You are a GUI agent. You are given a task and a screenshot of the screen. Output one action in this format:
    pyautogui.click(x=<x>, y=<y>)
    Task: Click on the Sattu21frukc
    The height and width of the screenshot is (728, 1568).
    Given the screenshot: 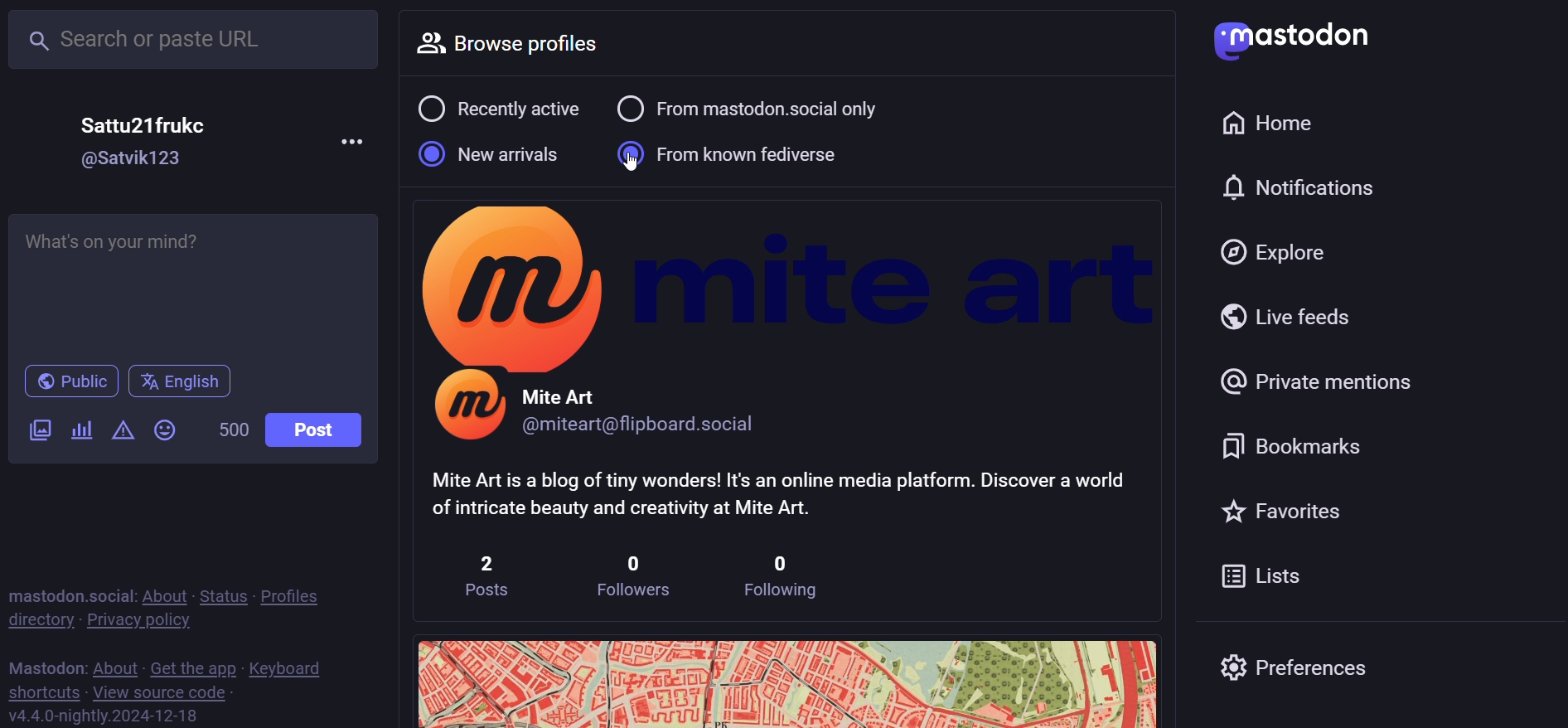 What is the action you would take?
    pyautogui.click(x=145, y=125)
    